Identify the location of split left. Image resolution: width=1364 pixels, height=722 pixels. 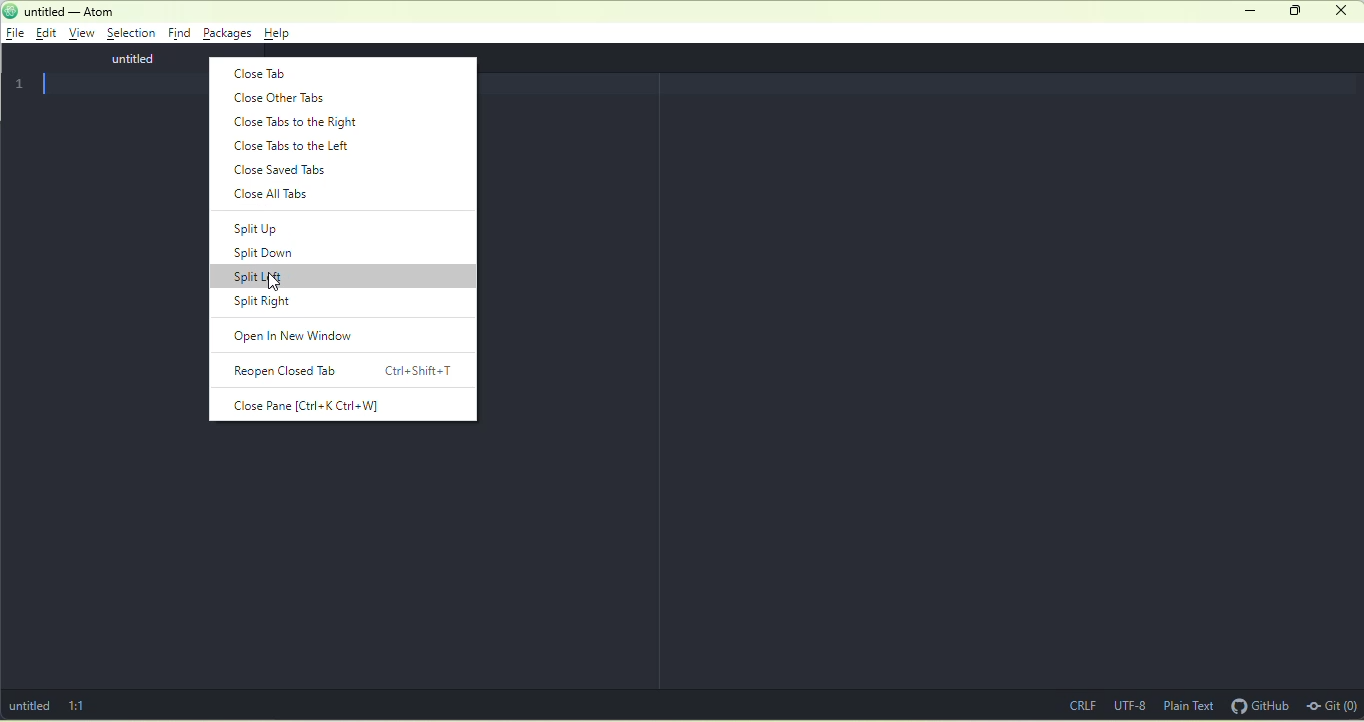
(344, 276).